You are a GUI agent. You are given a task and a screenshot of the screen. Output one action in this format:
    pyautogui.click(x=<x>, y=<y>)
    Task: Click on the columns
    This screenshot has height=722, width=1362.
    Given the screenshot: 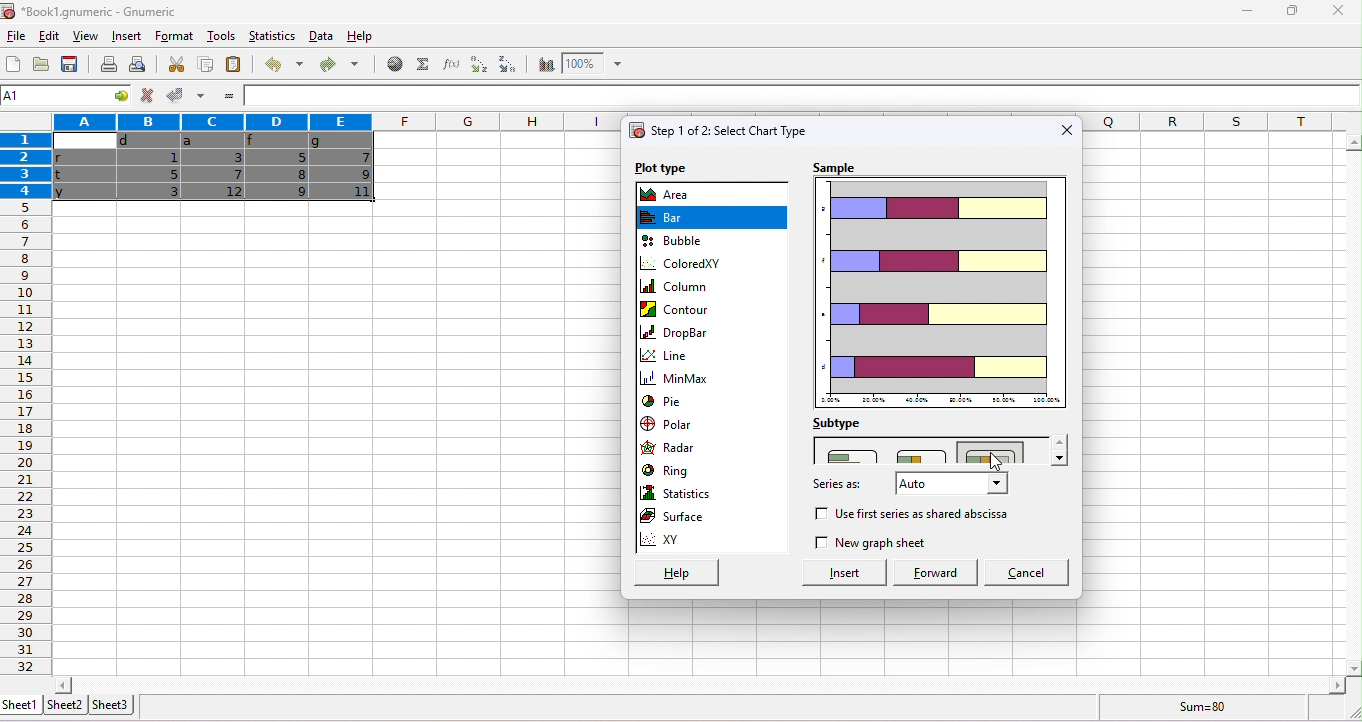 What is the action you would take?
    pyautogui.click(x=1206, y=122)
    